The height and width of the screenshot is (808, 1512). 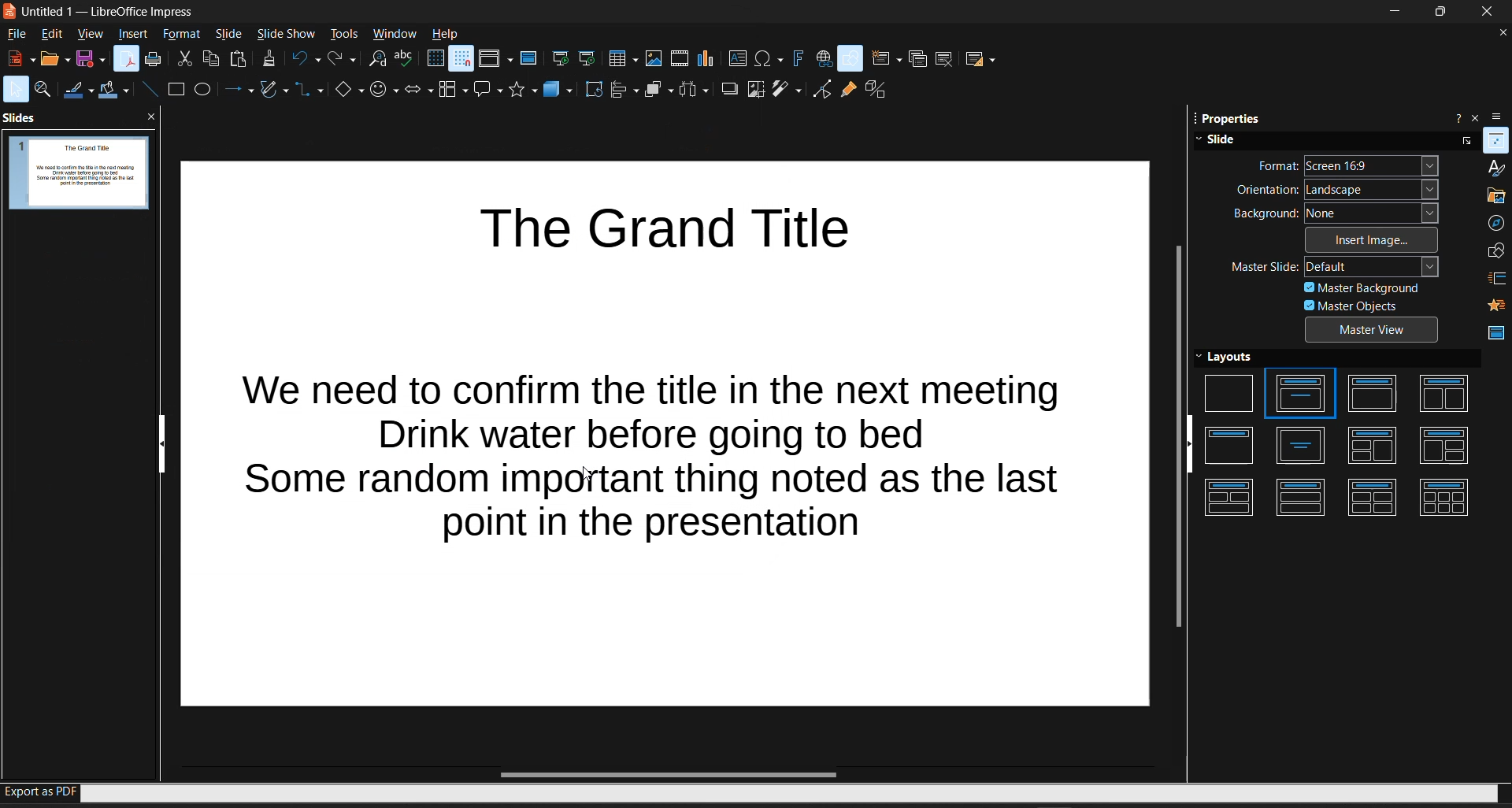 I want to click on flowchart, so click(x=452, y=92).